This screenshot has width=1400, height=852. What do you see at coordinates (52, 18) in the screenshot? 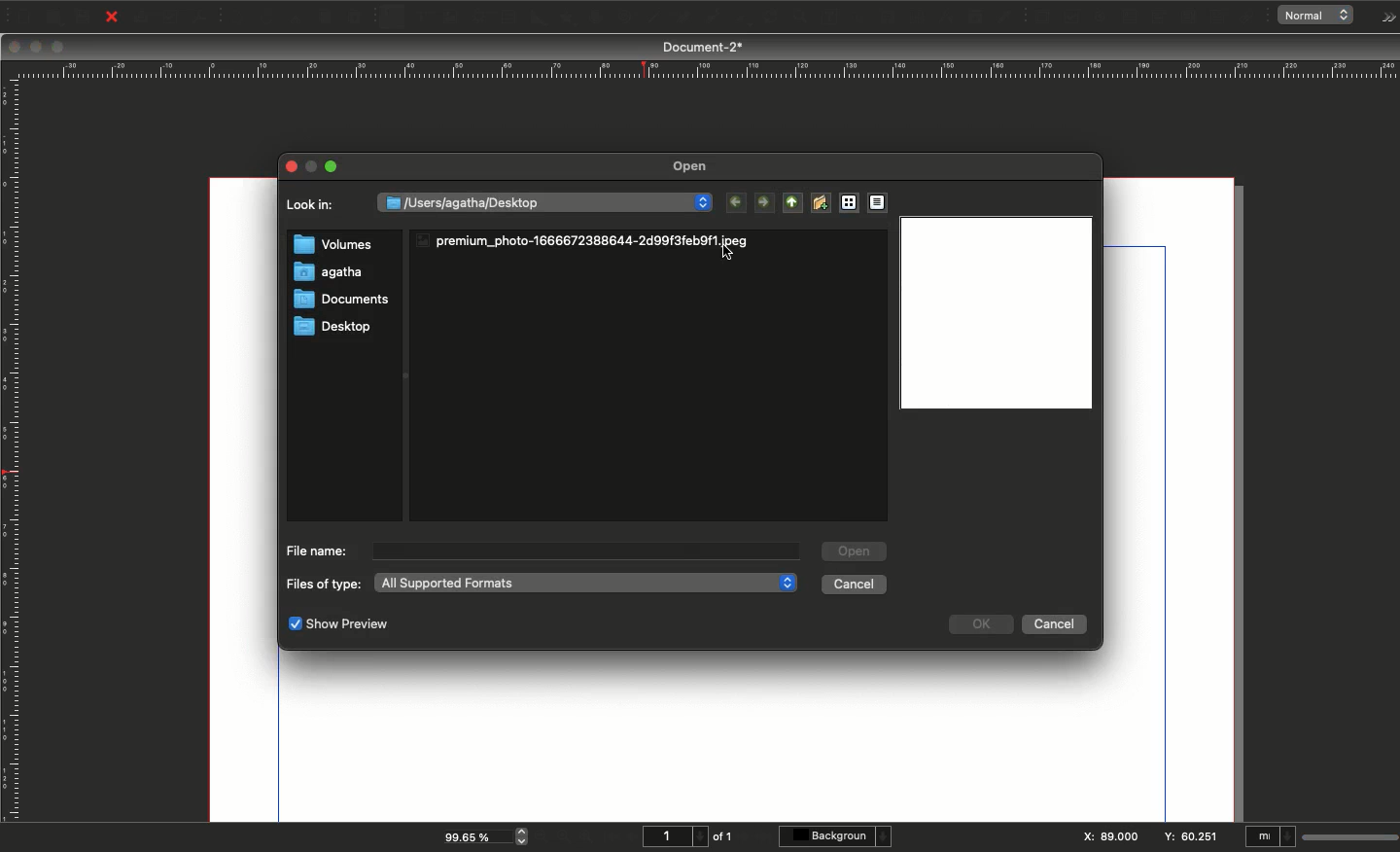
I see `Open` at bounding box center [52, 18].